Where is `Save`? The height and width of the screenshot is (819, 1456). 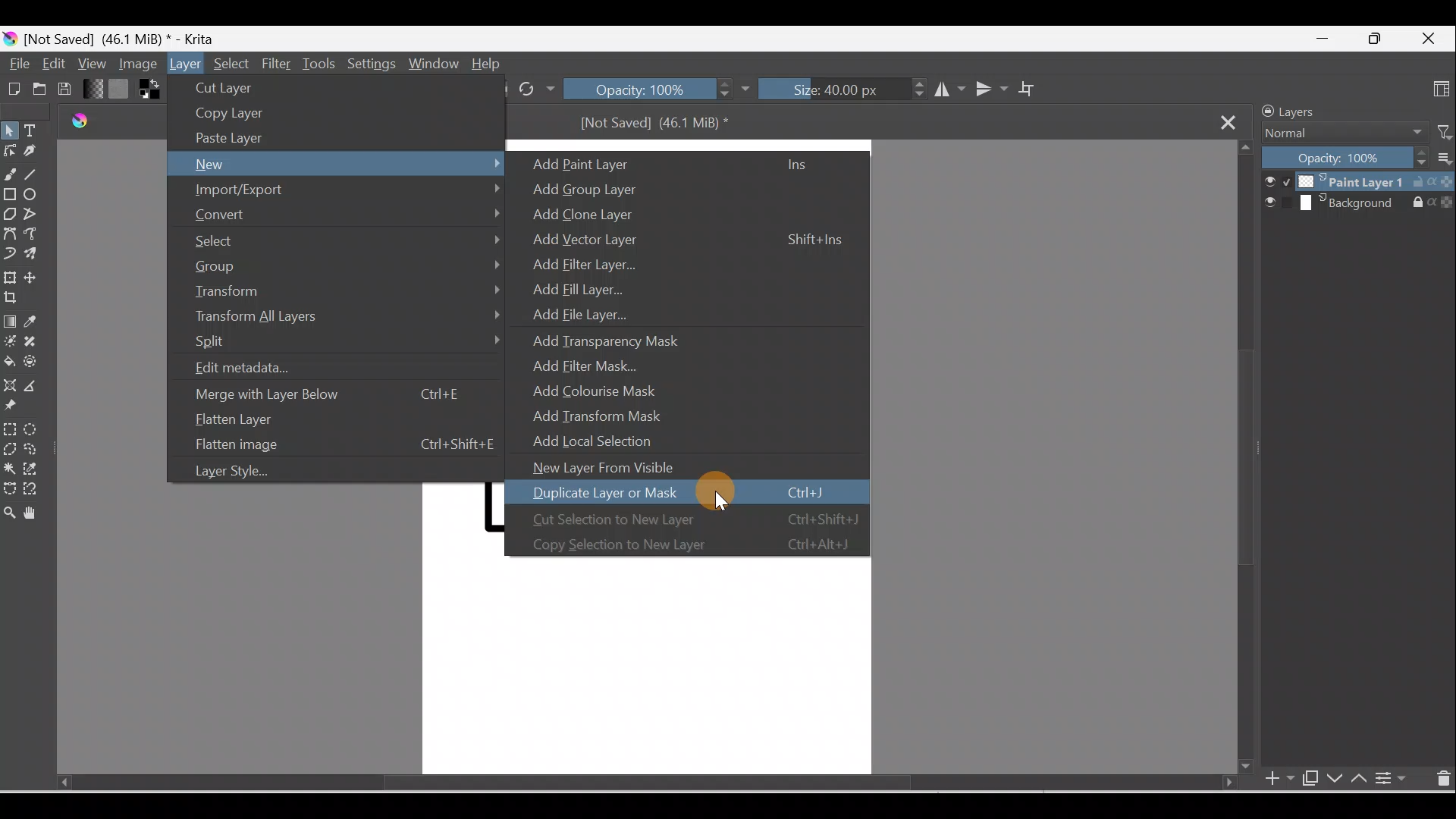 Save is located at coordinates (69, 89).